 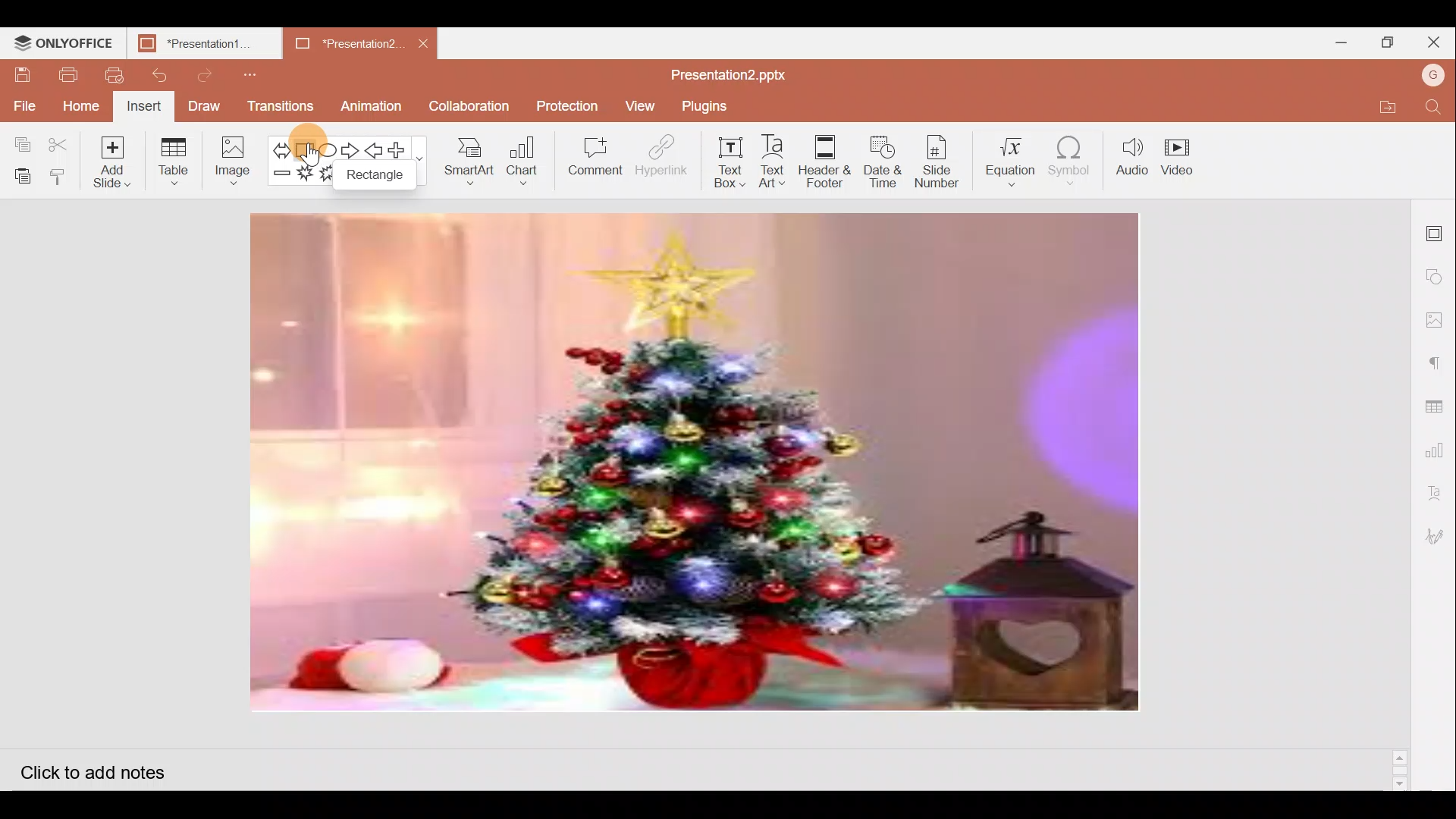 I want to click on Rectangle, so click(x=381, y=179).